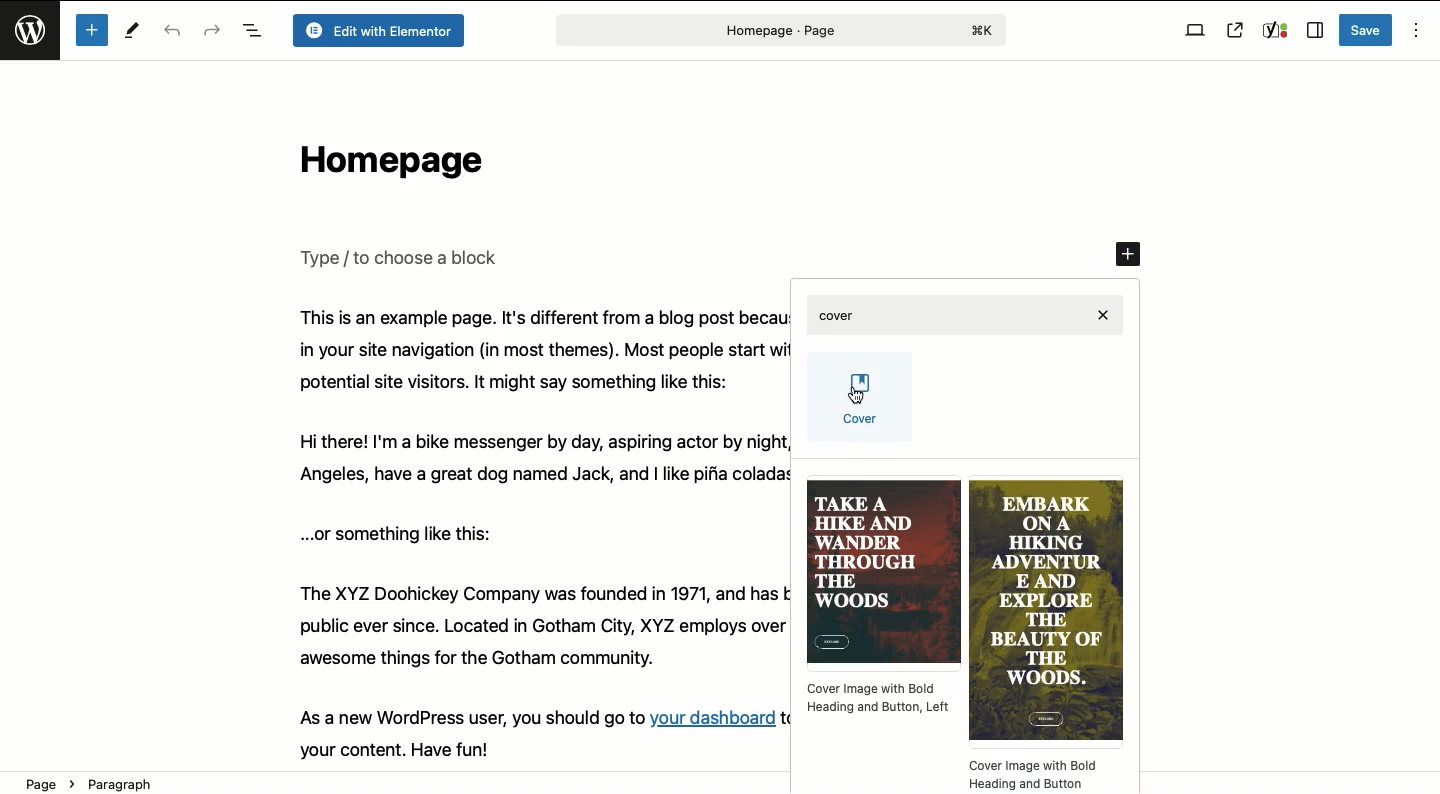 The height and width of the screenshot is (794, 1440). I want to click on Cover, so click(861, 402).